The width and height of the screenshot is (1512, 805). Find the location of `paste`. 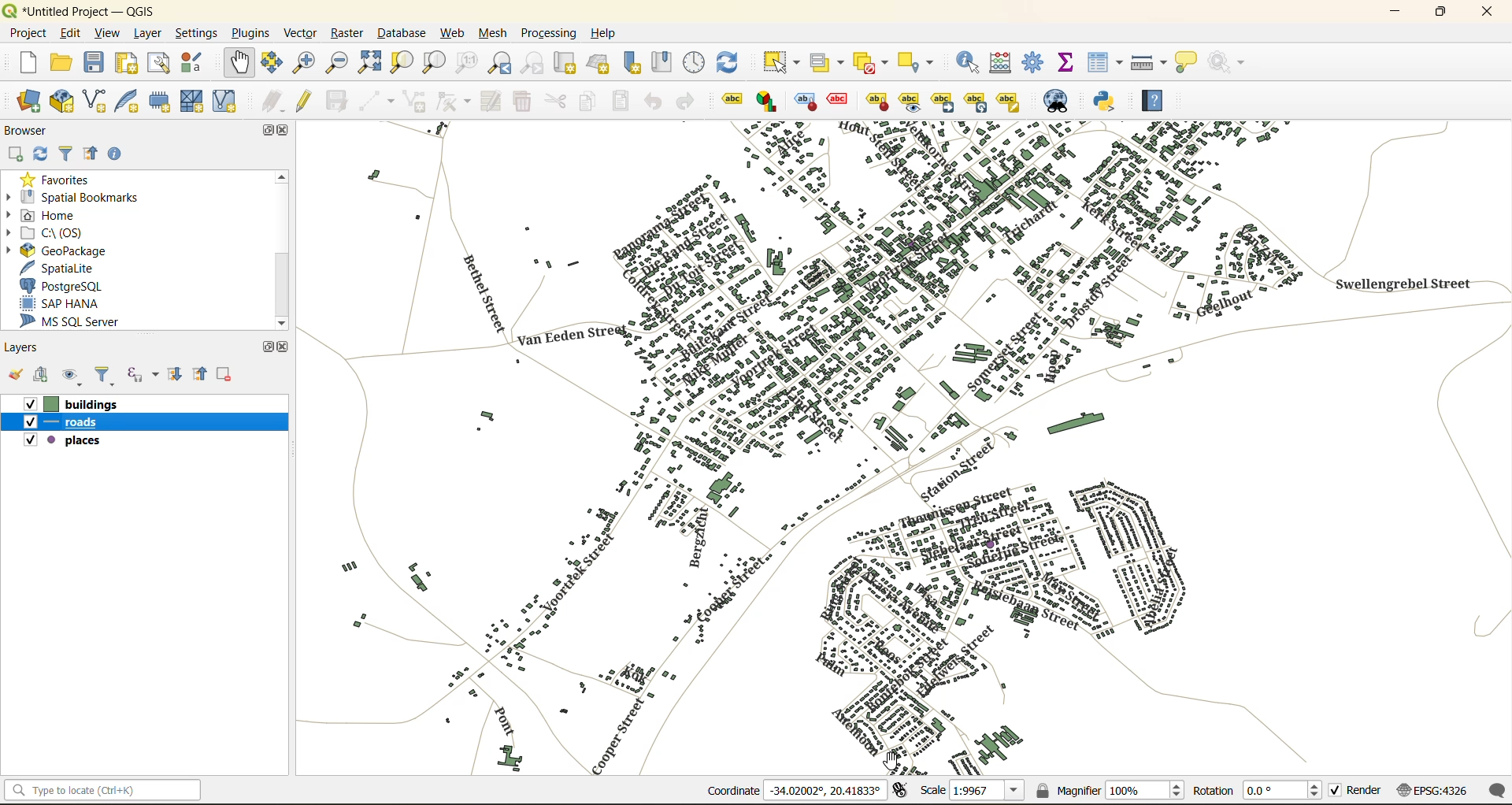

paste is located at coordinates (622, 99).